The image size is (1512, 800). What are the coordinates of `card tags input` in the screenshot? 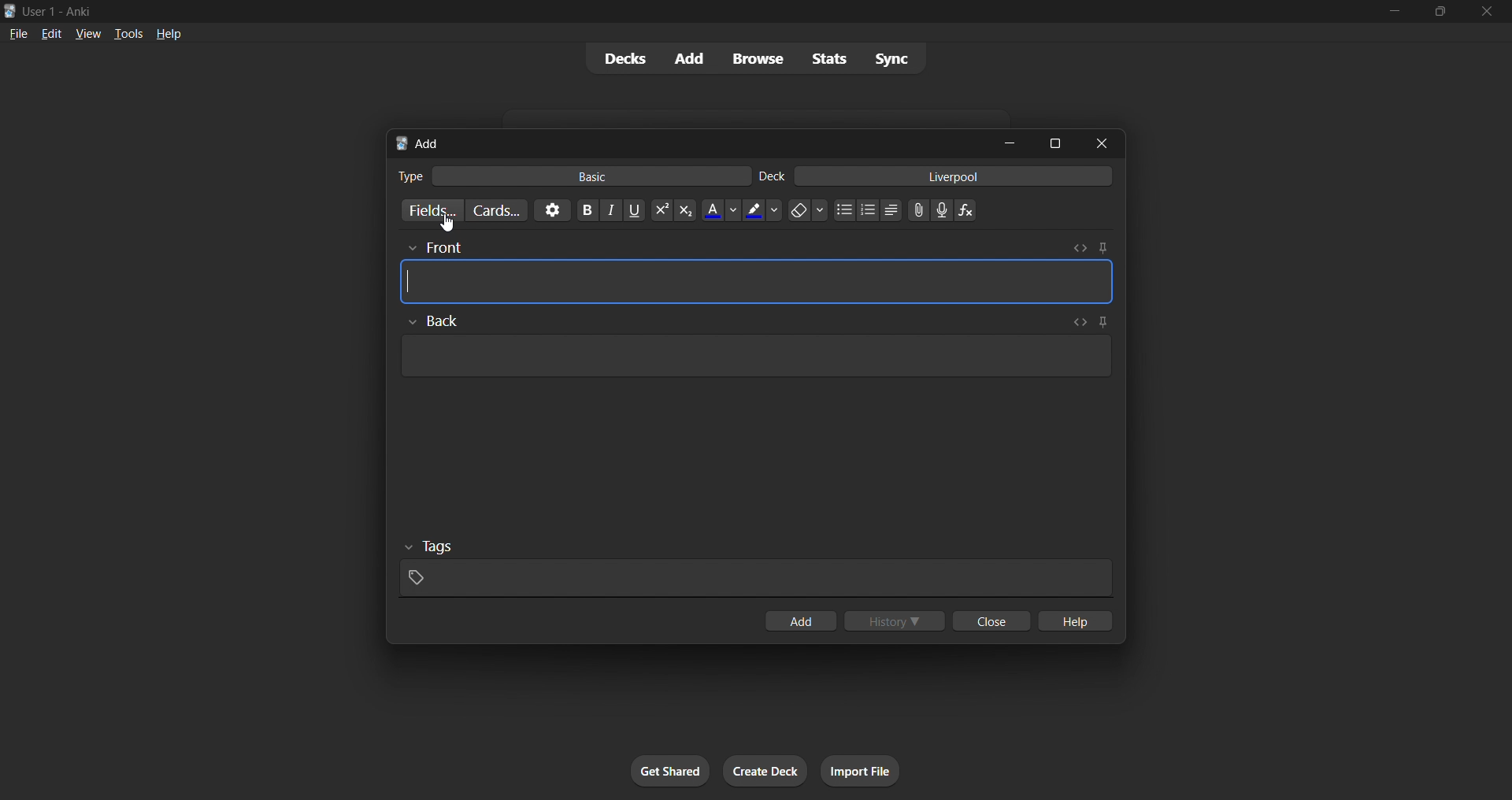 It's located at (756, 579).